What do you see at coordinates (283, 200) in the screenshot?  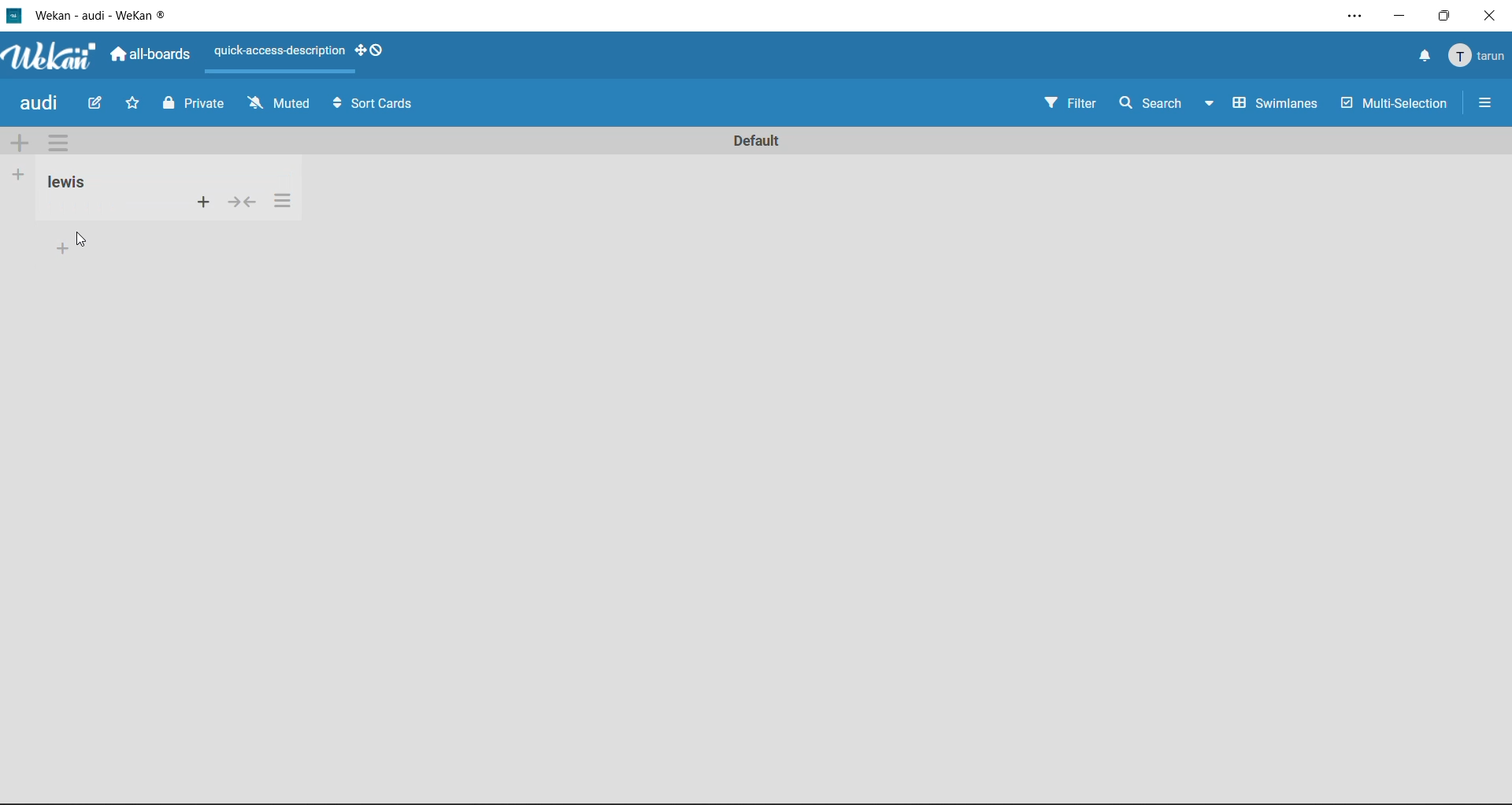 I see `` at bounding box center [283, 200].